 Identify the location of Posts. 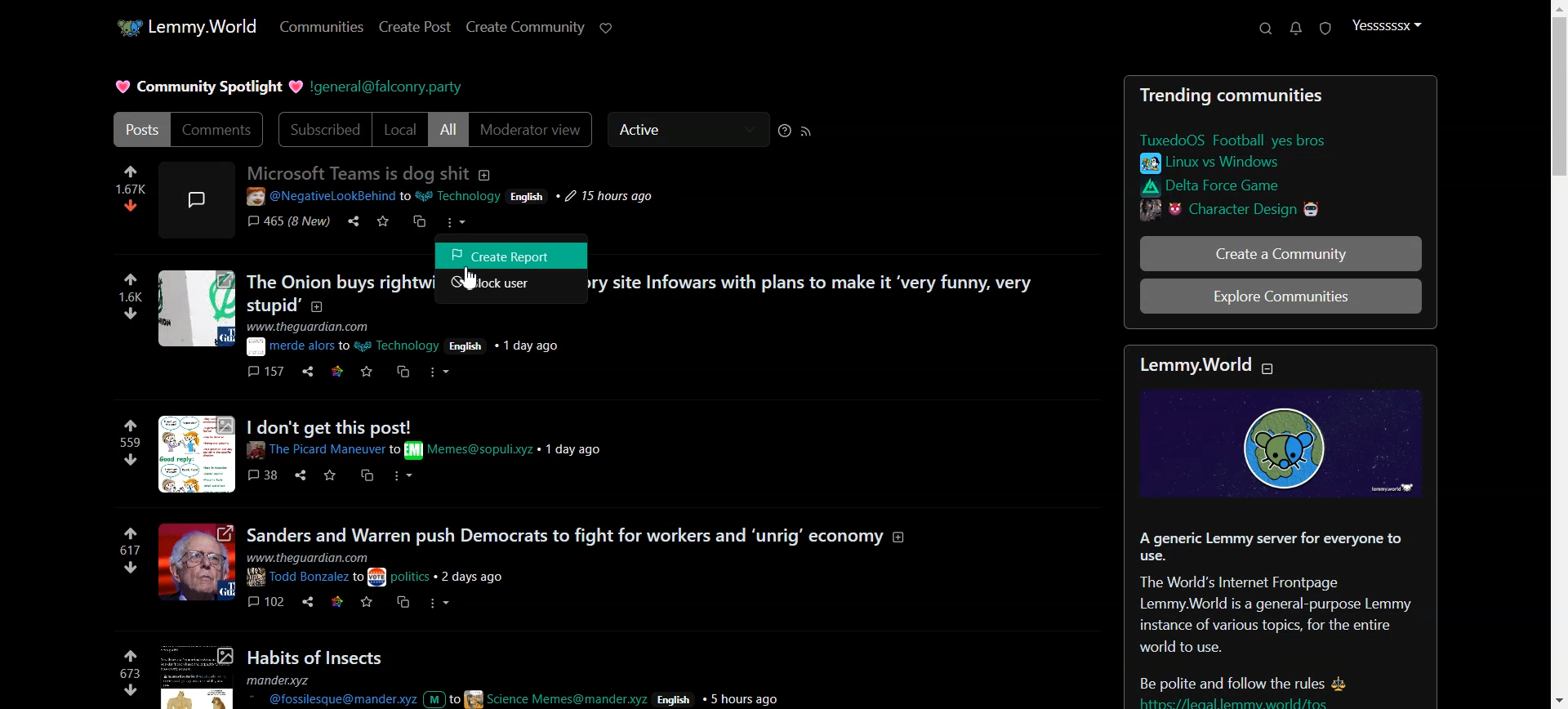
(140, 129).